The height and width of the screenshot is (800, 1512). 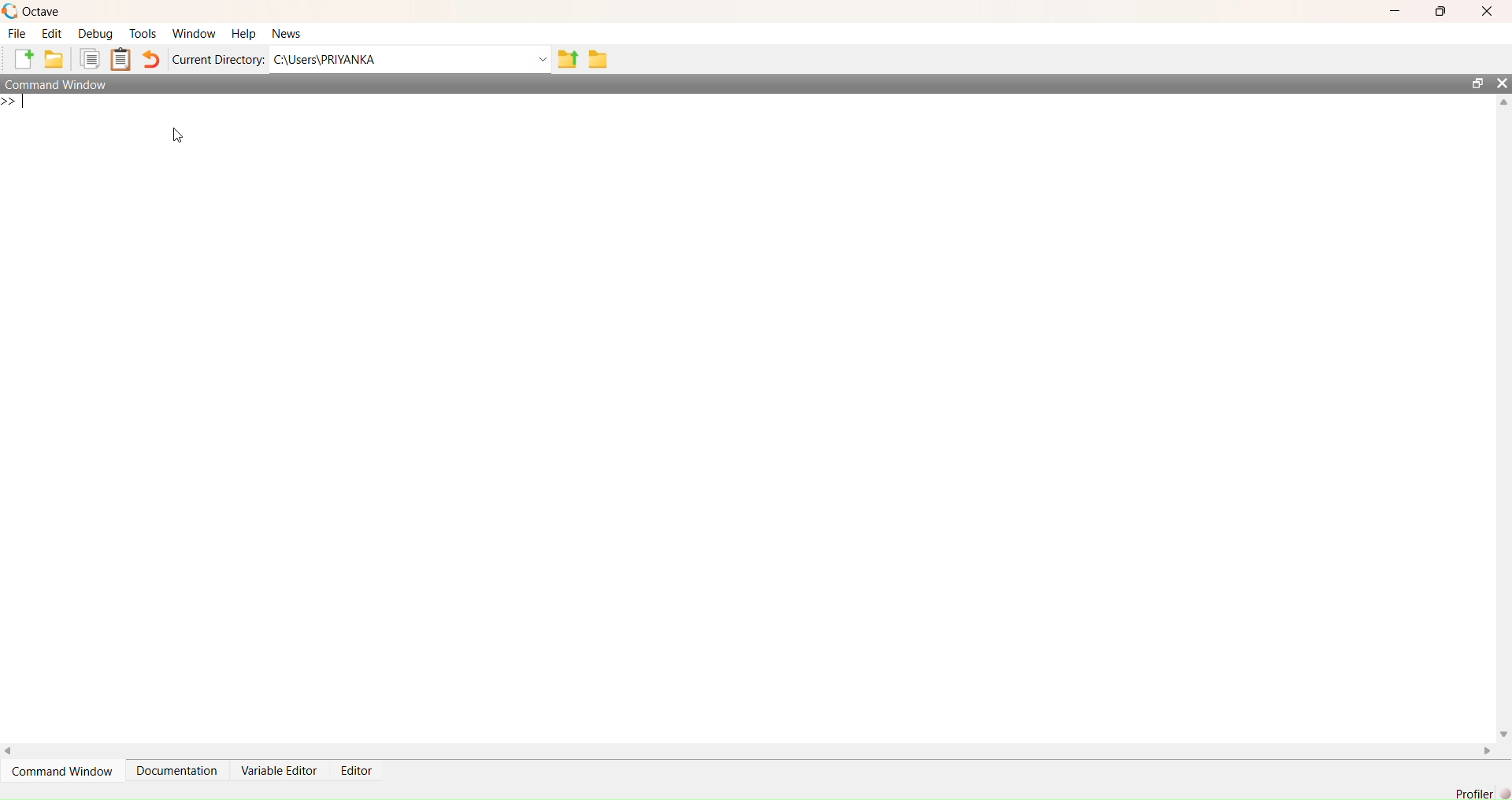 I want to click on maximise, so click(x=1473, y=80).